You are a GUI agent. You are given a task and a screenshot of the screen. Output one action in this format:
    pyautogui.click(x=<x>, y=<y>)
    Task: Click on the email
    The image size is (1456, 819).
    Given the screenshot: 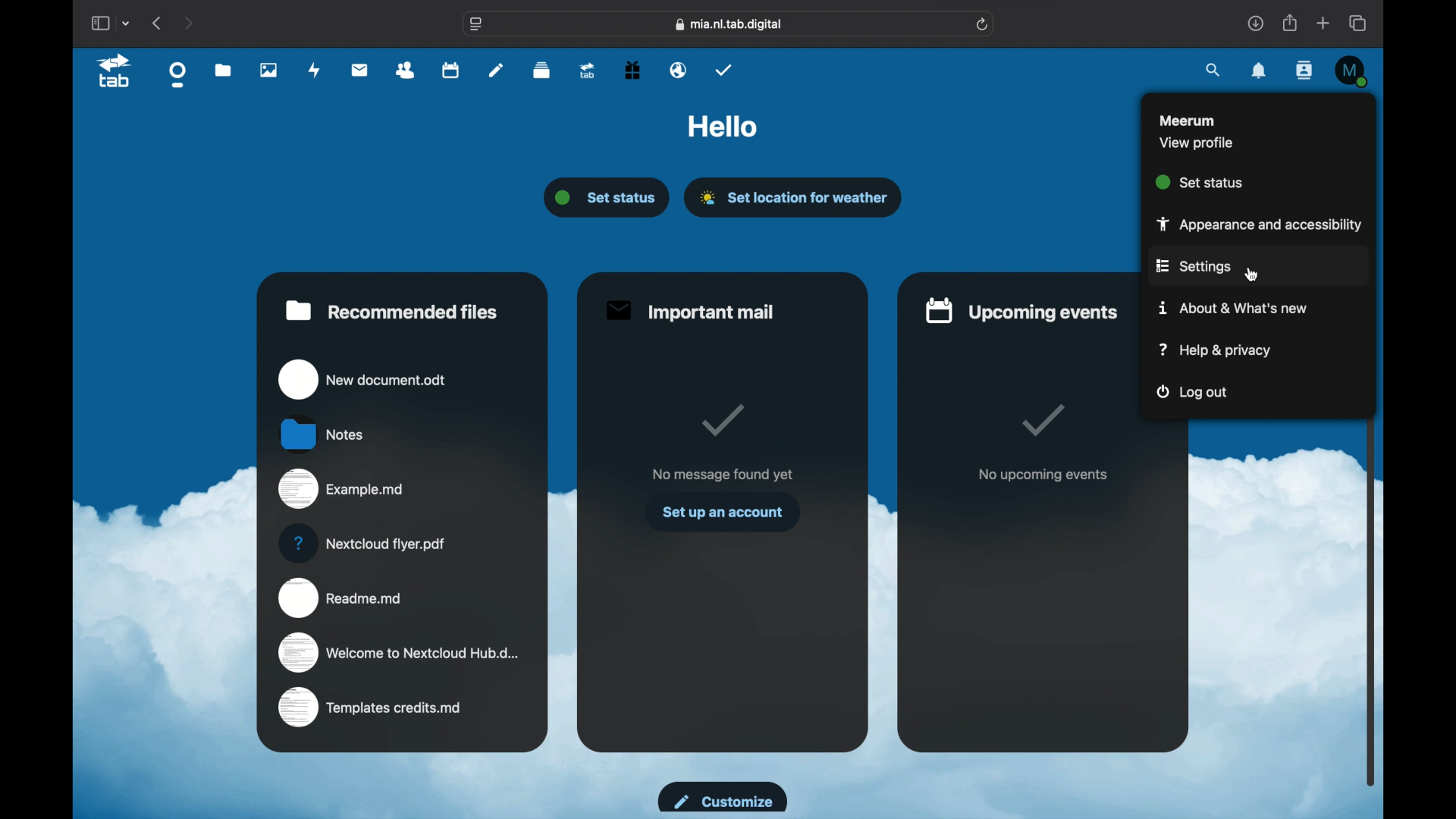 What is the action you would take?
    pyautogui.click(x=679, y=71)
    